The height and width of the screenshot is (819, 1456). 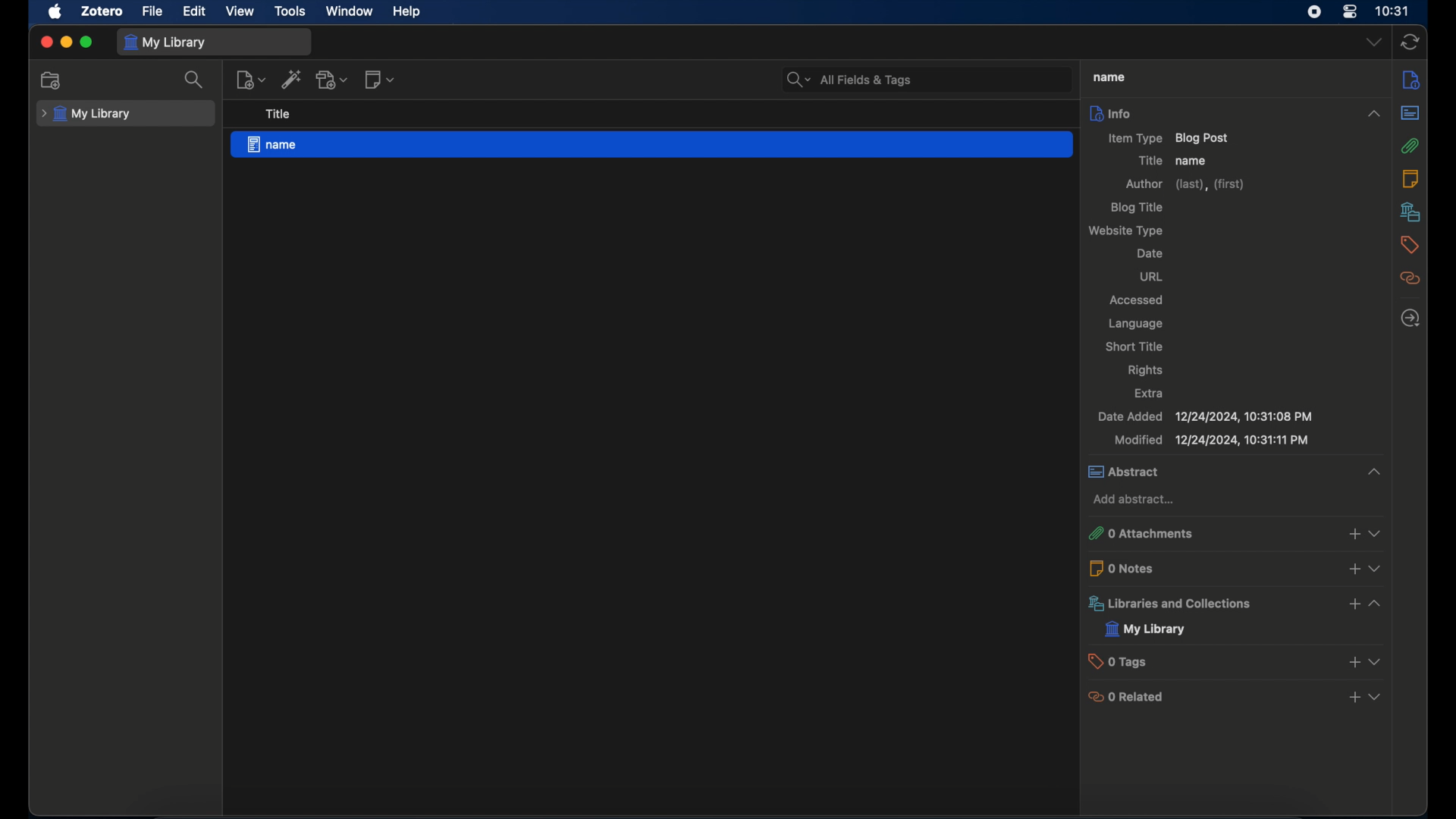 I want to click on search, so click(x=194, y=80).